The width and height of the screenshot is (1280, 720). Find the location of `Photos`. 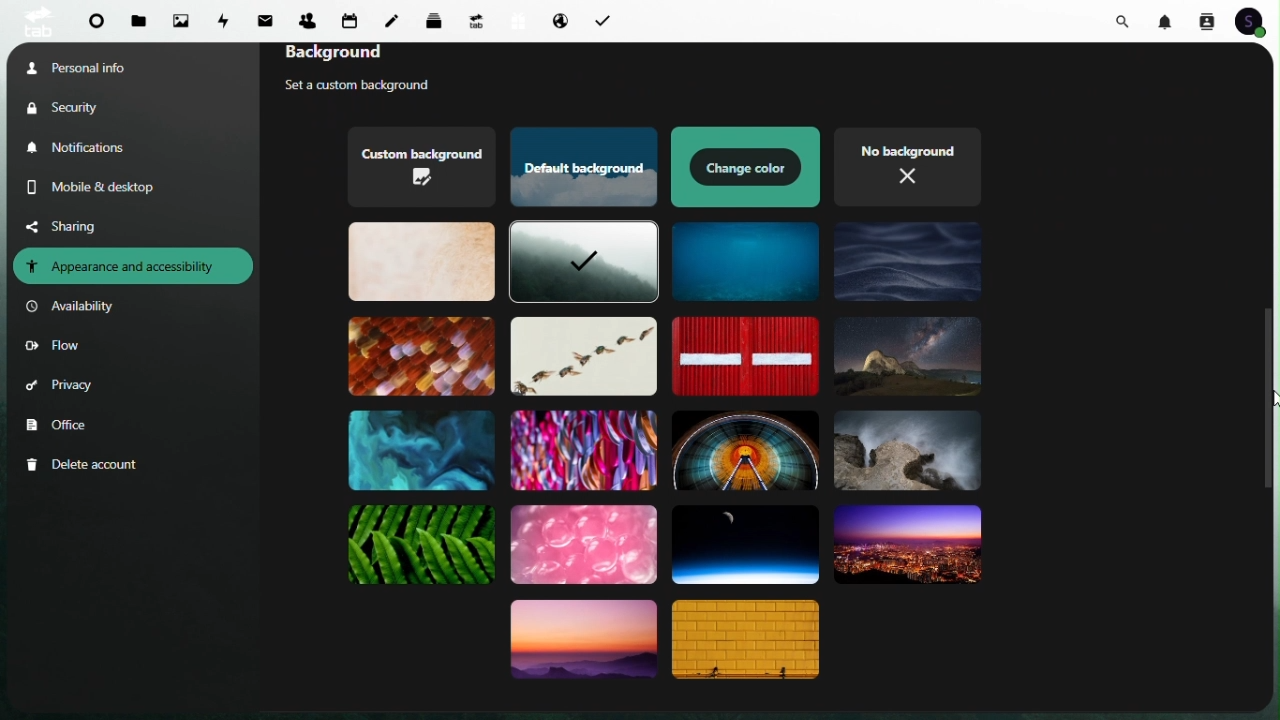

Photos is located at coordinates (181, 20).